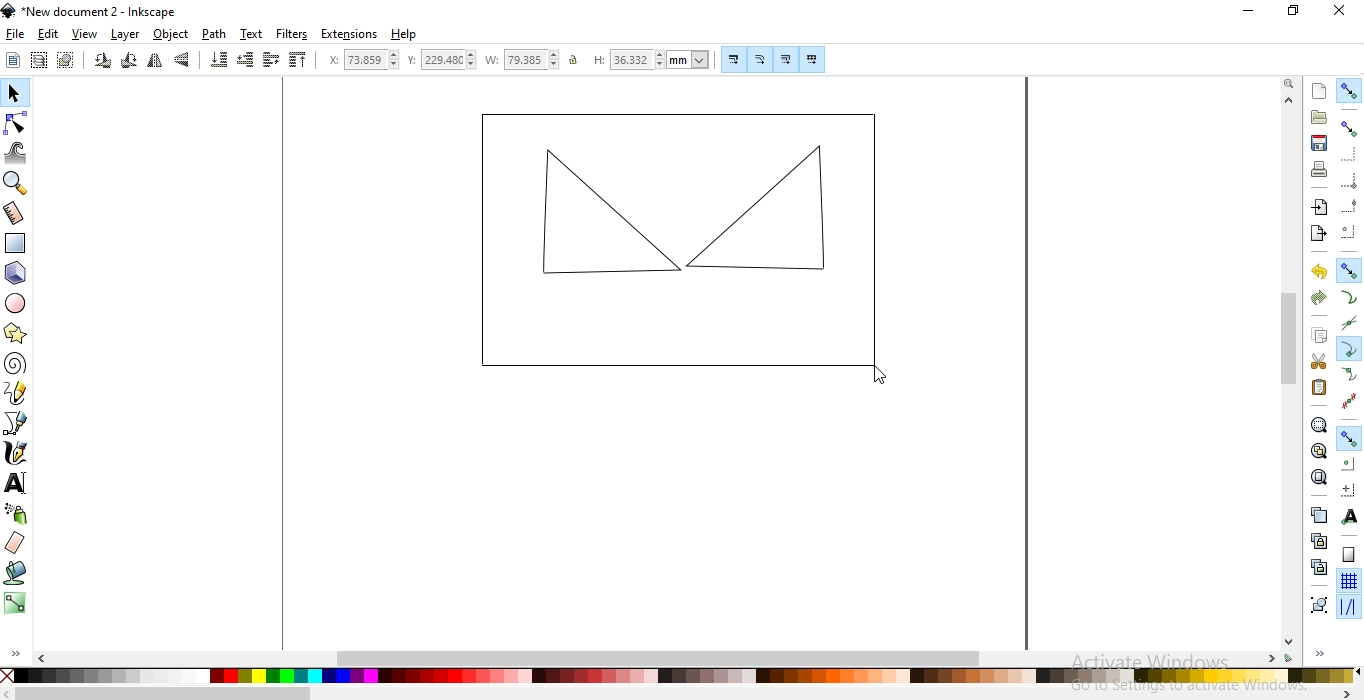  Describe the element at coordinates (1317, 272) in the screenshot. I see `undo the action` at that location.